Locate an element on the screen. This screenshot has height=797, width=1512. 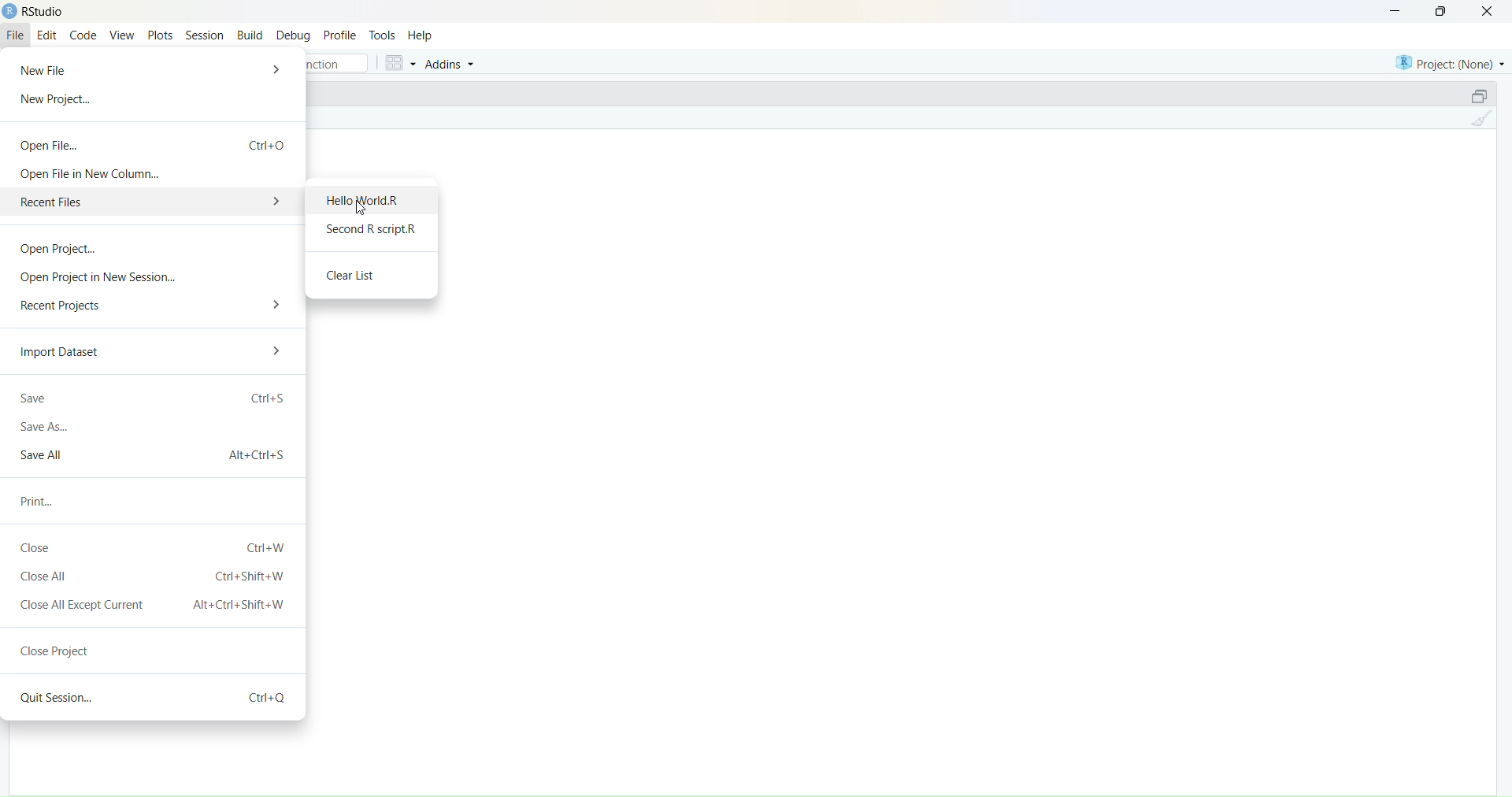
Save As... is located at coordinates (43, 428).